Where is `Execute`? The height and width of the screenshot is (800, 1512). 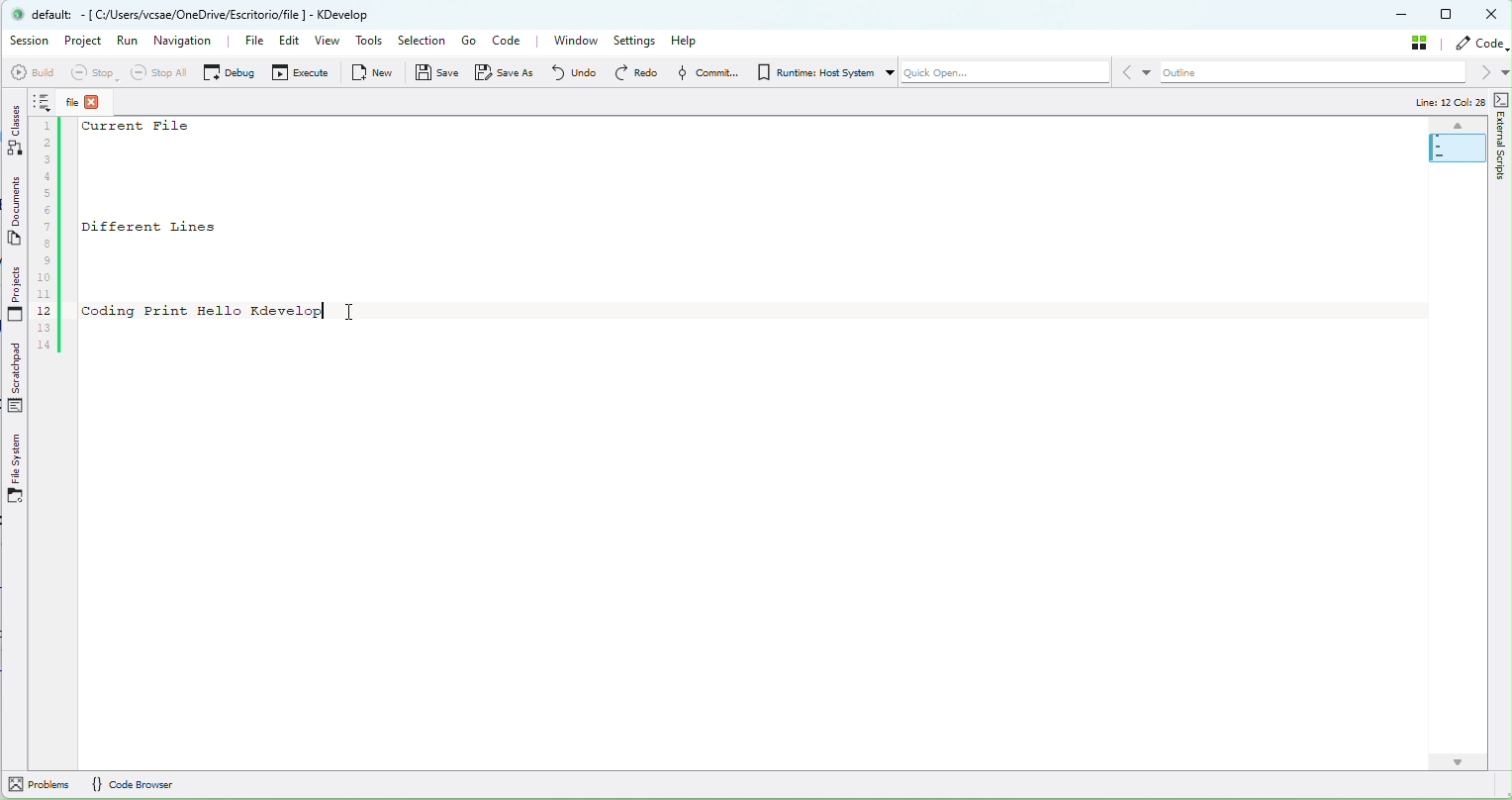 Execute is located at coordinates (303, 75).